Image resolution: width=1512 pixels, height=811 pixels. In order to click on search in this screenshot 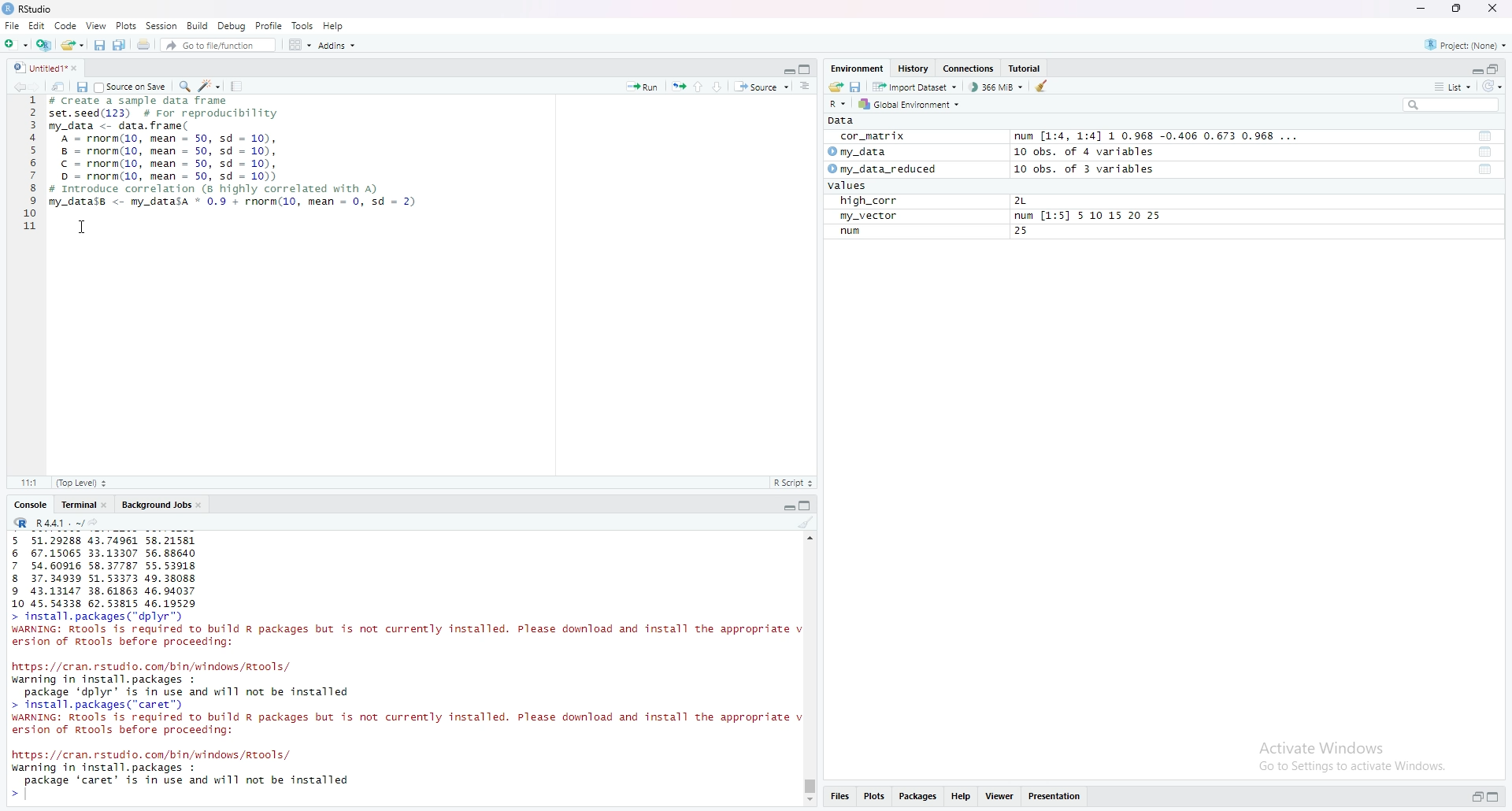, I will do `click(186, 87)`.